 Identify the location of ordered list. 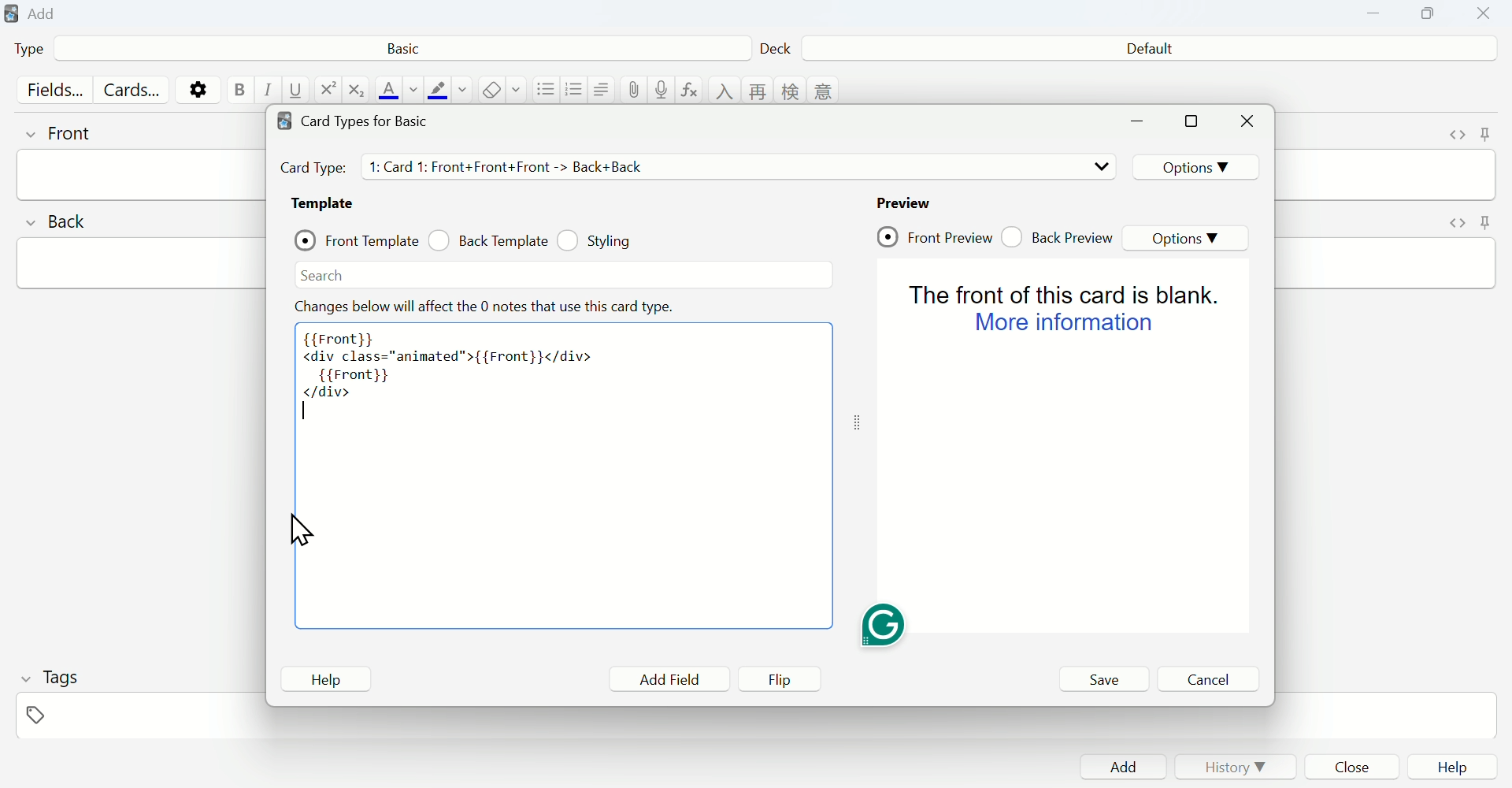
(574, 90).